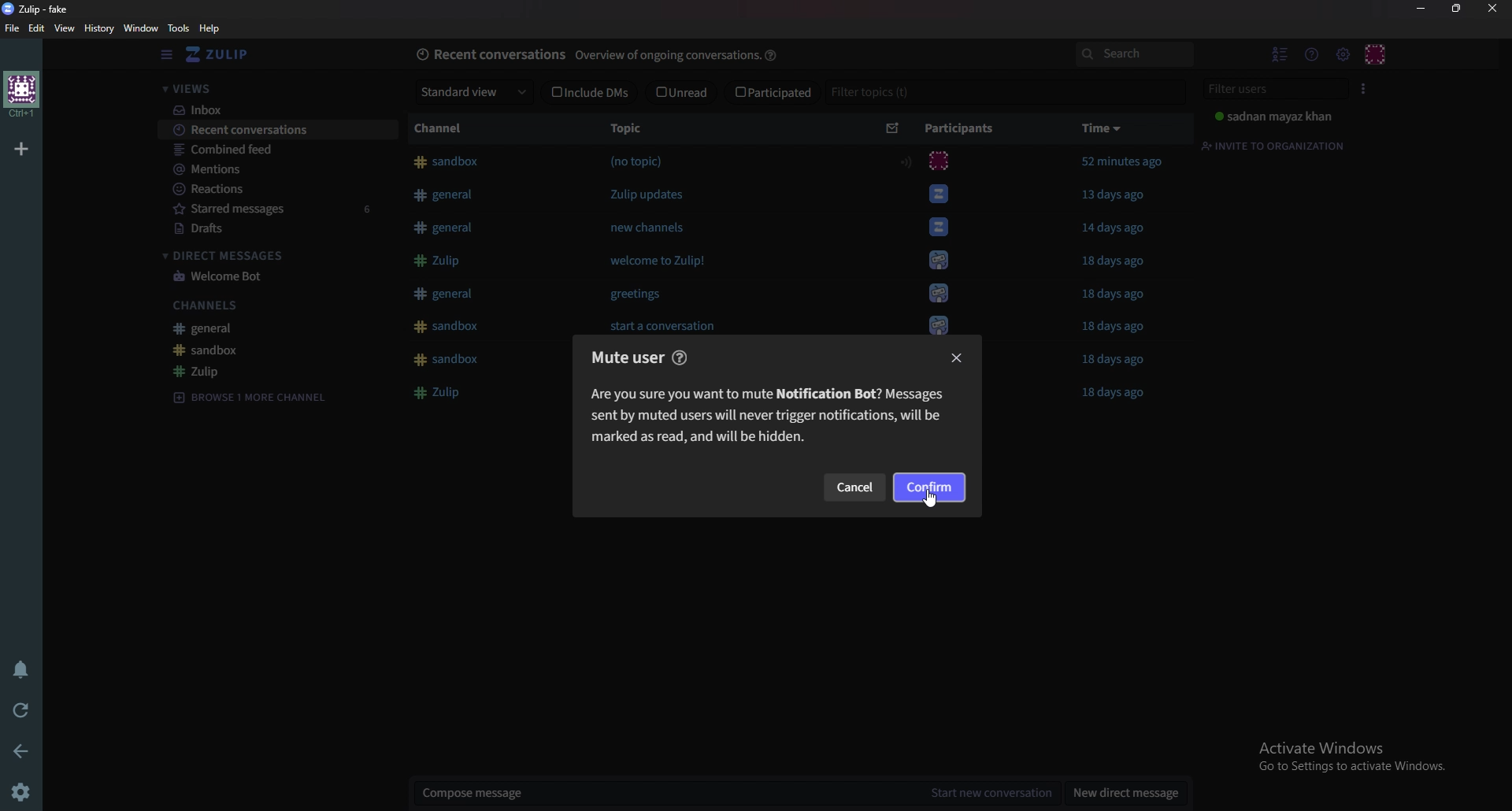  What do you see at coordinates (270, 88) in the screenshot?
I see `views` at bounding box center [270, 88].